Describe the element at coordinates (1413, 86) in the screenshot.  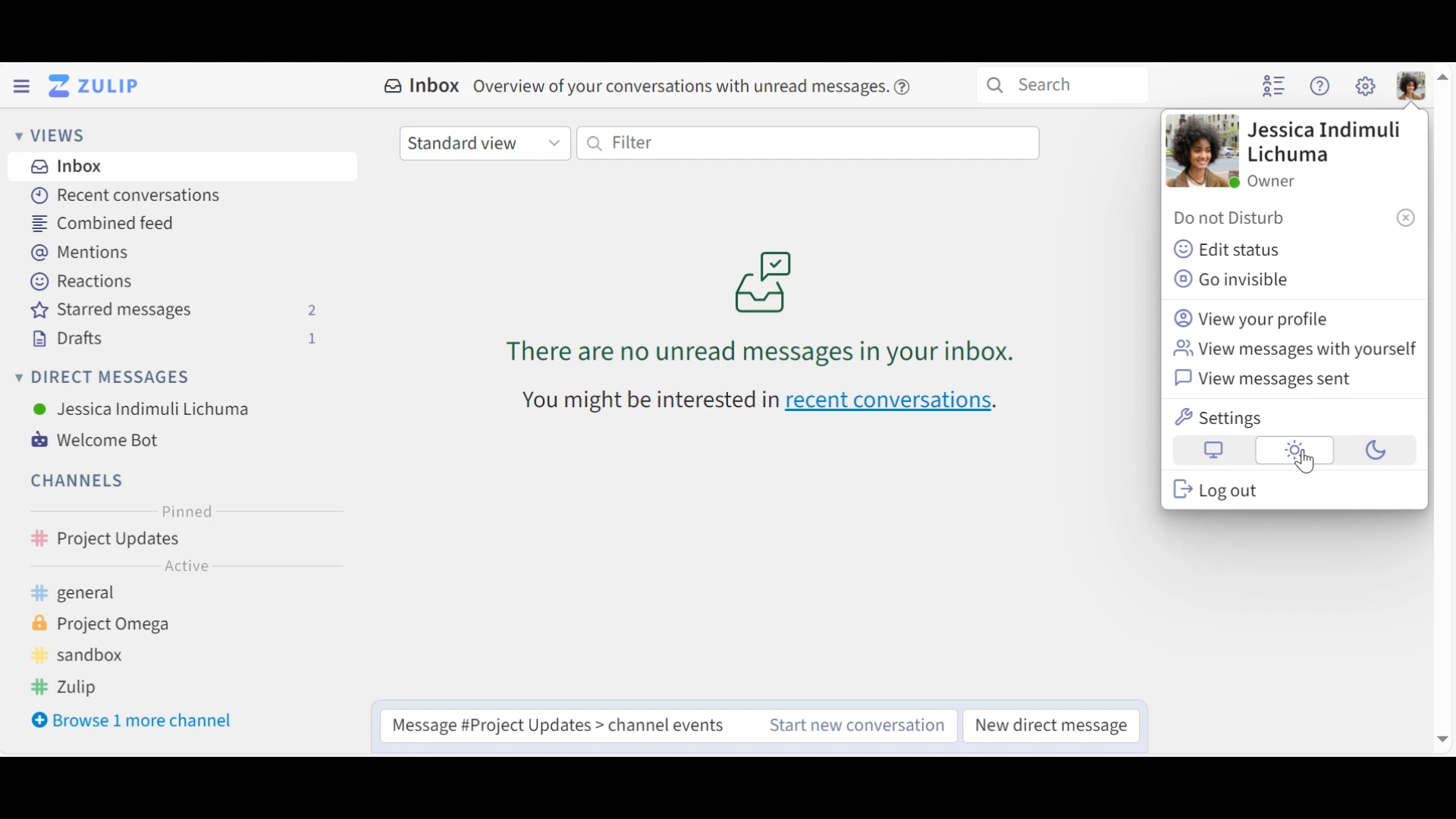
I see `Personal menu` at that location.